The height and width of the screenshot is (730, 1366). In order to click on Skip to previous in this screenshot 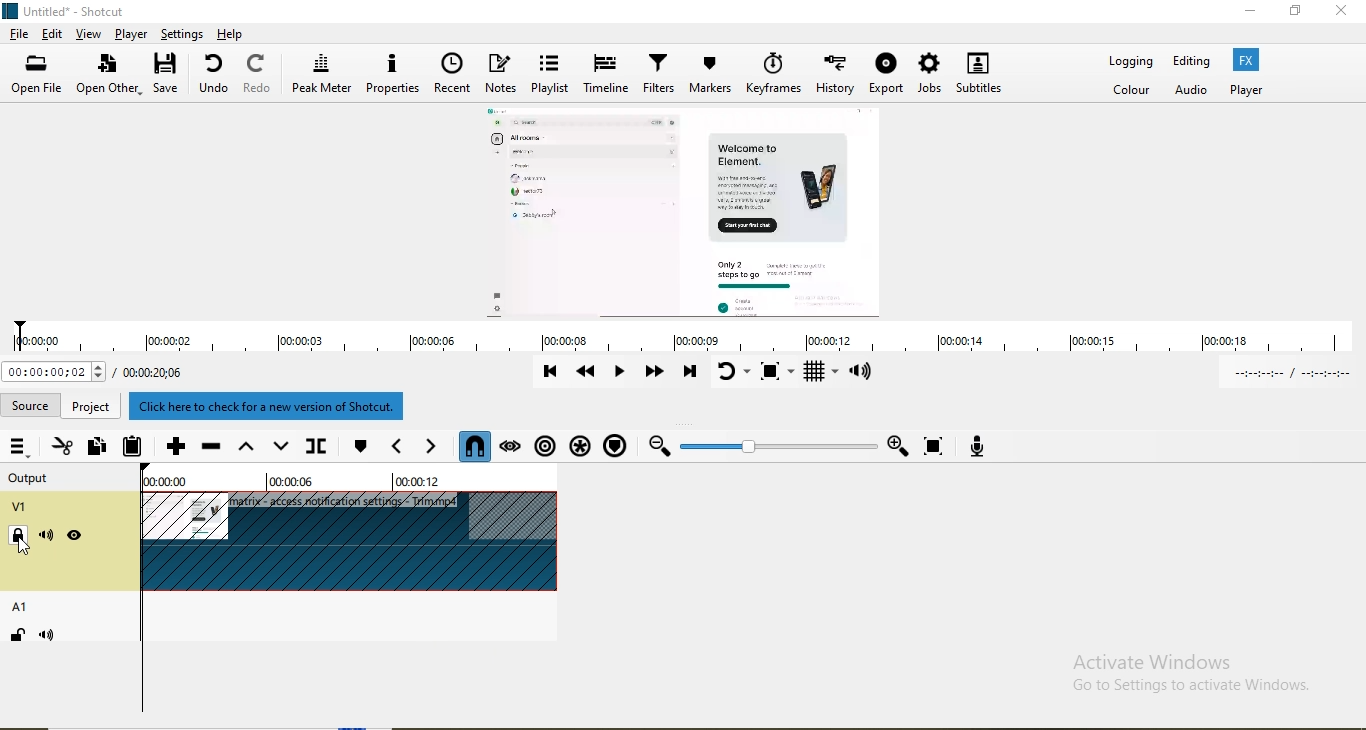, I will do `click(552, 377)`.